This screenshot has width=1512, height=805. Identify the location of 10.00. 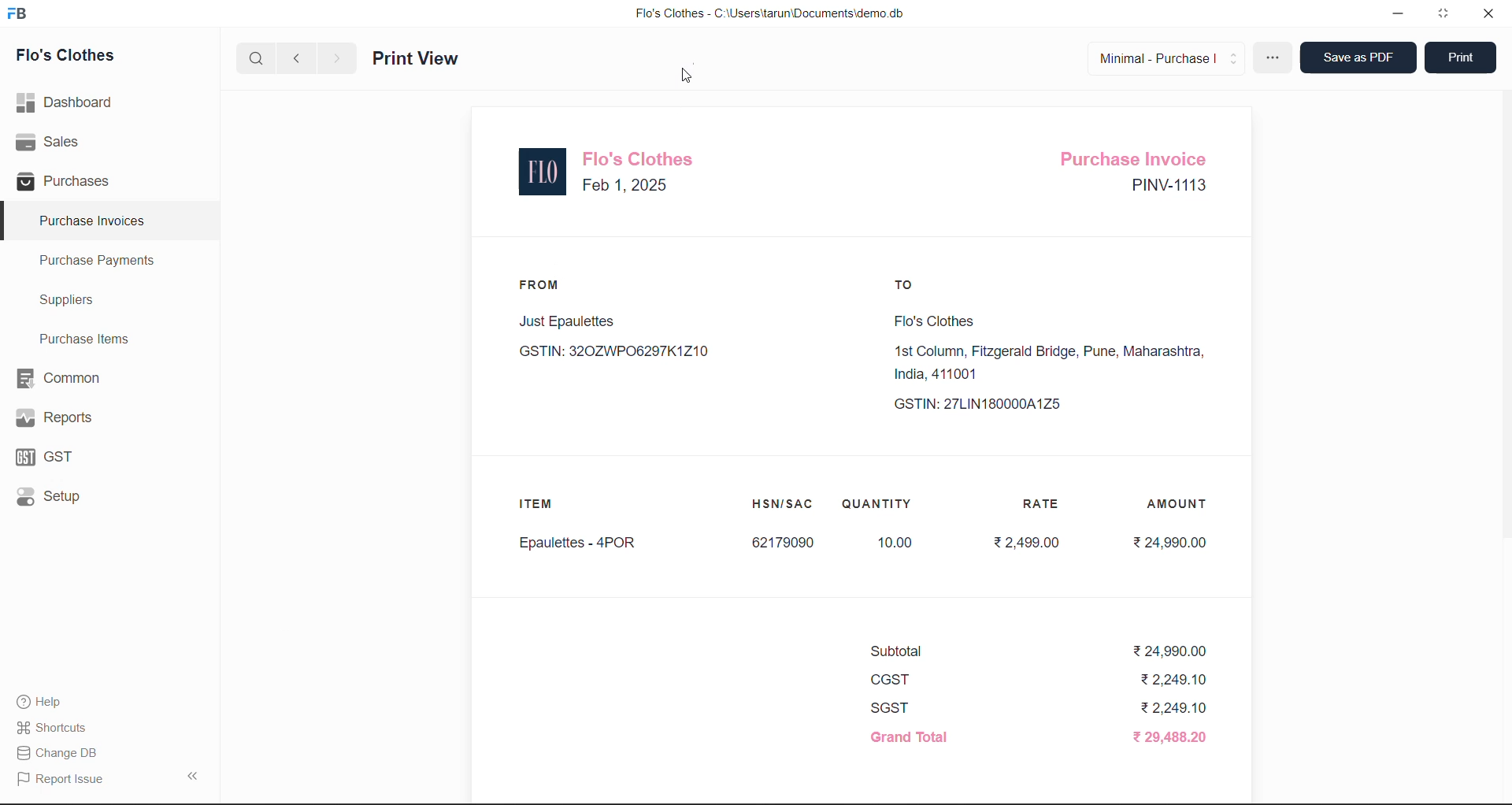
(897, 542).